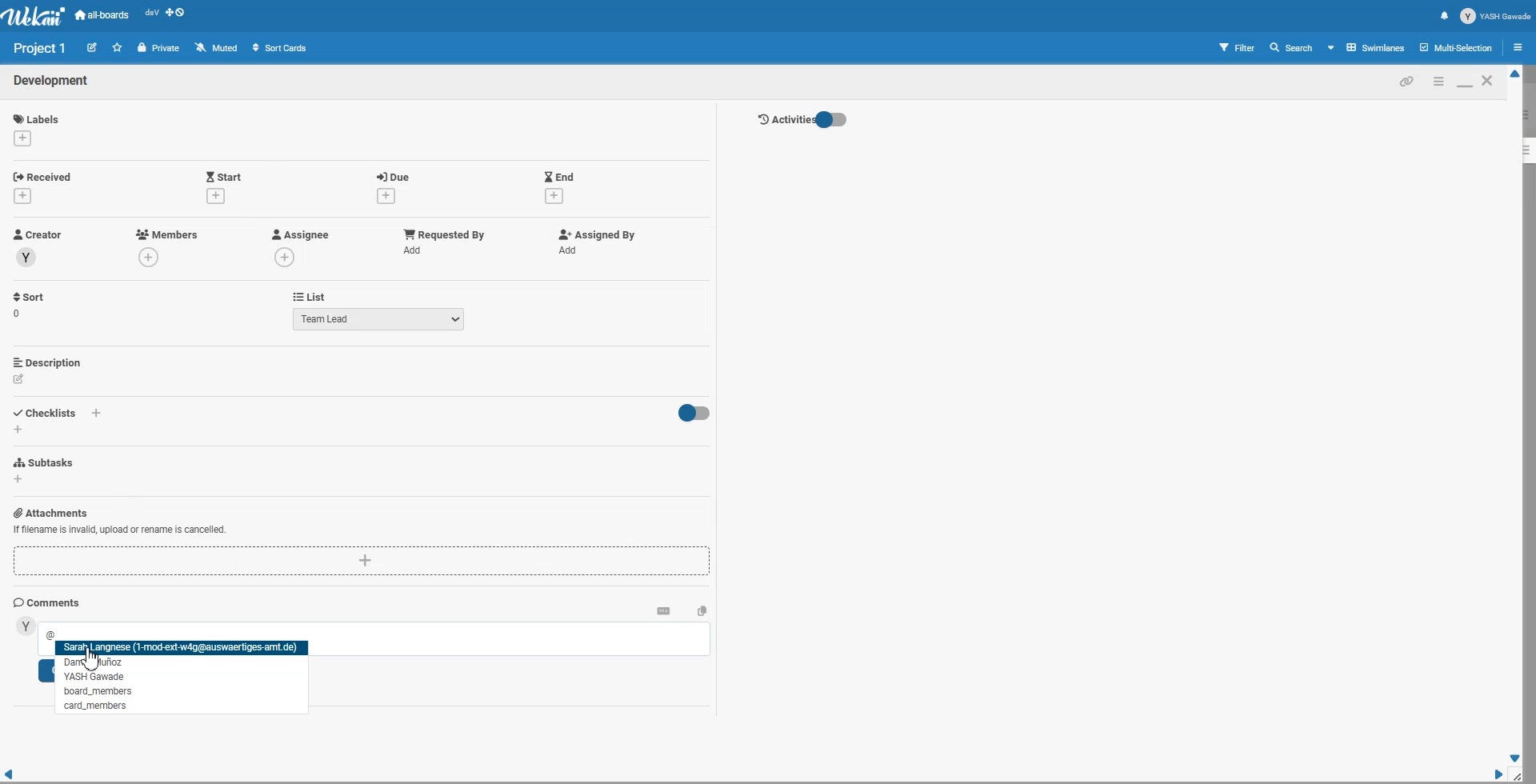 The height and width of the screenshot is (784, 1536). What do you see at coordinates (571, 250) in the screenshot?
I see `add` at bounding box center [571, 250].